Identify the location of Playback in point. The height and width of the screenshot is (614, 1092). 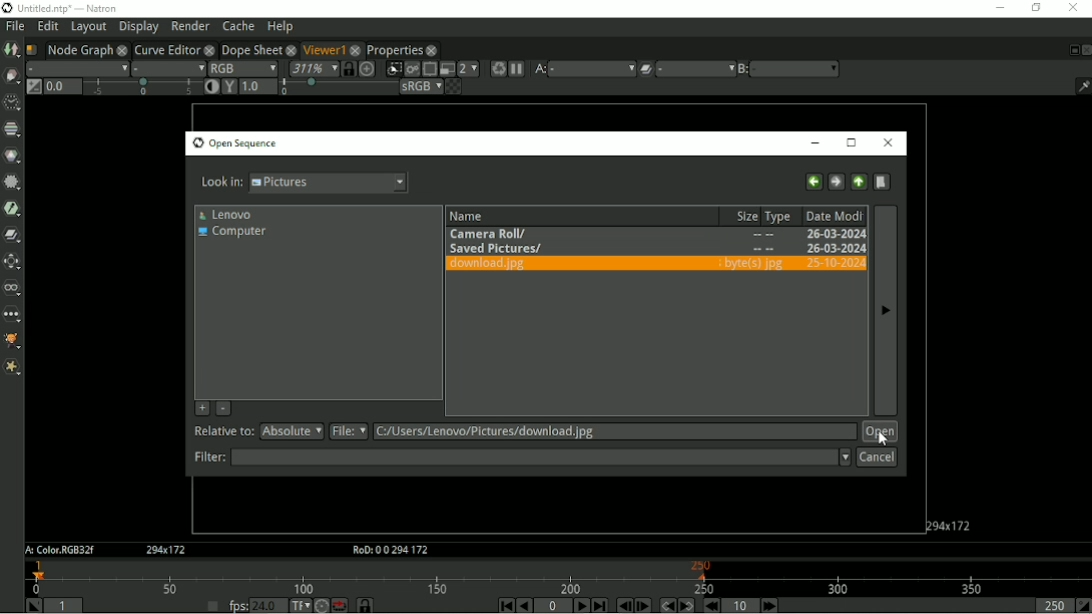
(66, 605).